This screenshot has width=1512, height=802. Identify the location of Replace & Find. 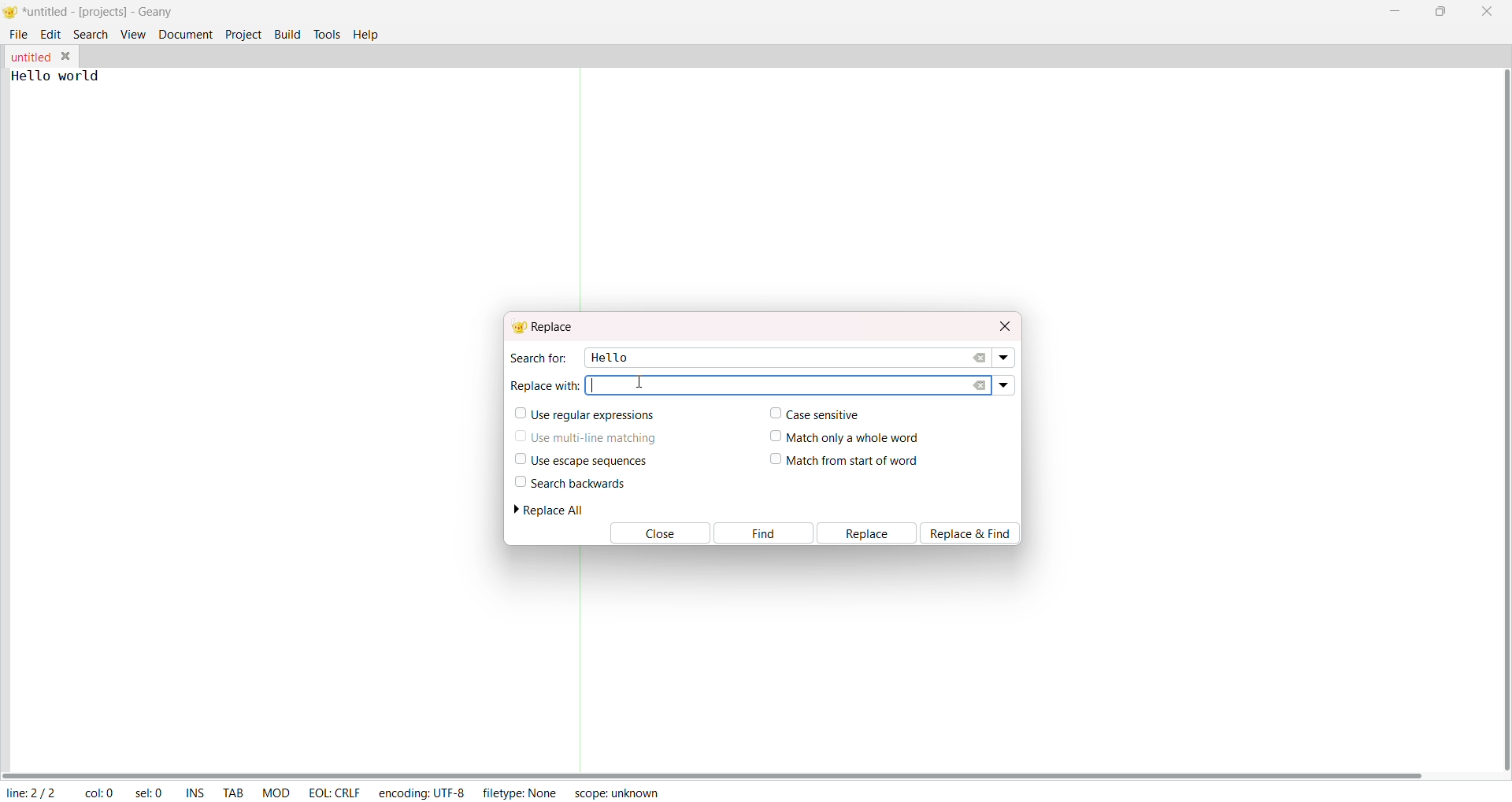
(975, 533).